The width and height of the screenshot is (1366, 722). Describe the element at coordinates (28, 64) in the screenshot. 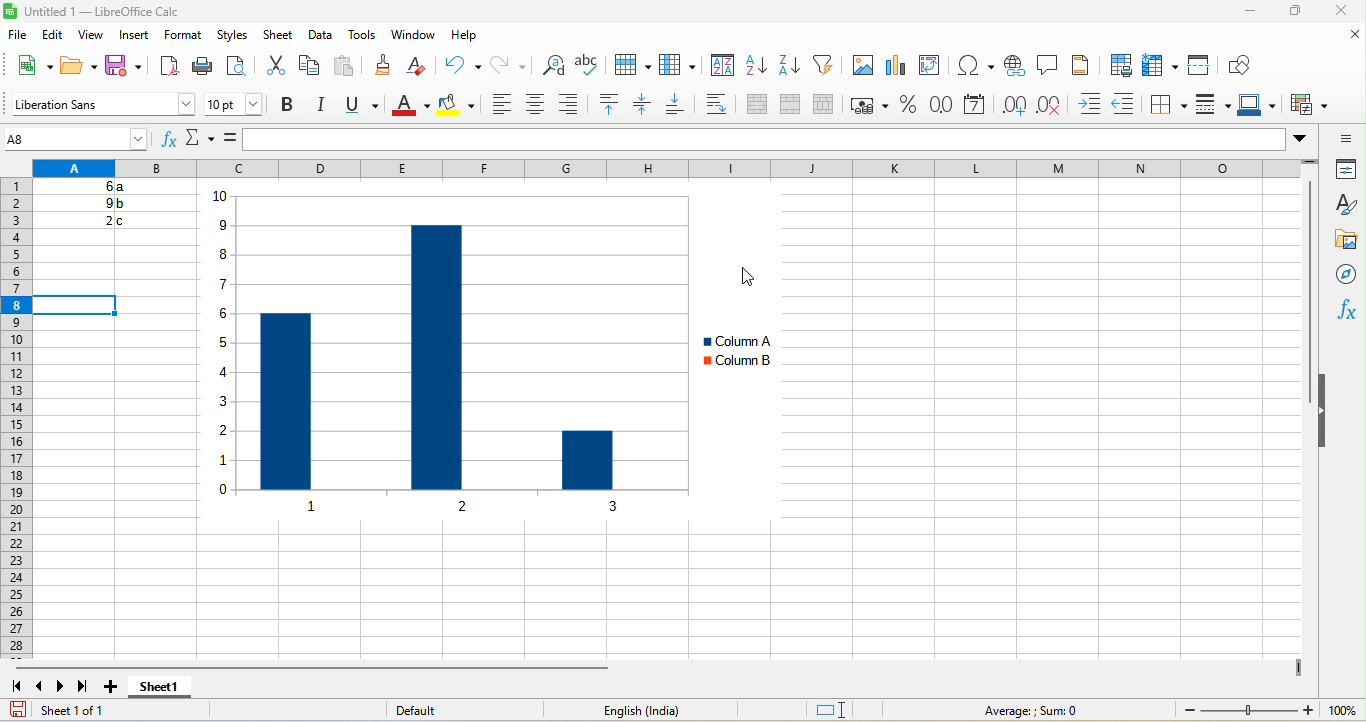

I see `new` at that location.